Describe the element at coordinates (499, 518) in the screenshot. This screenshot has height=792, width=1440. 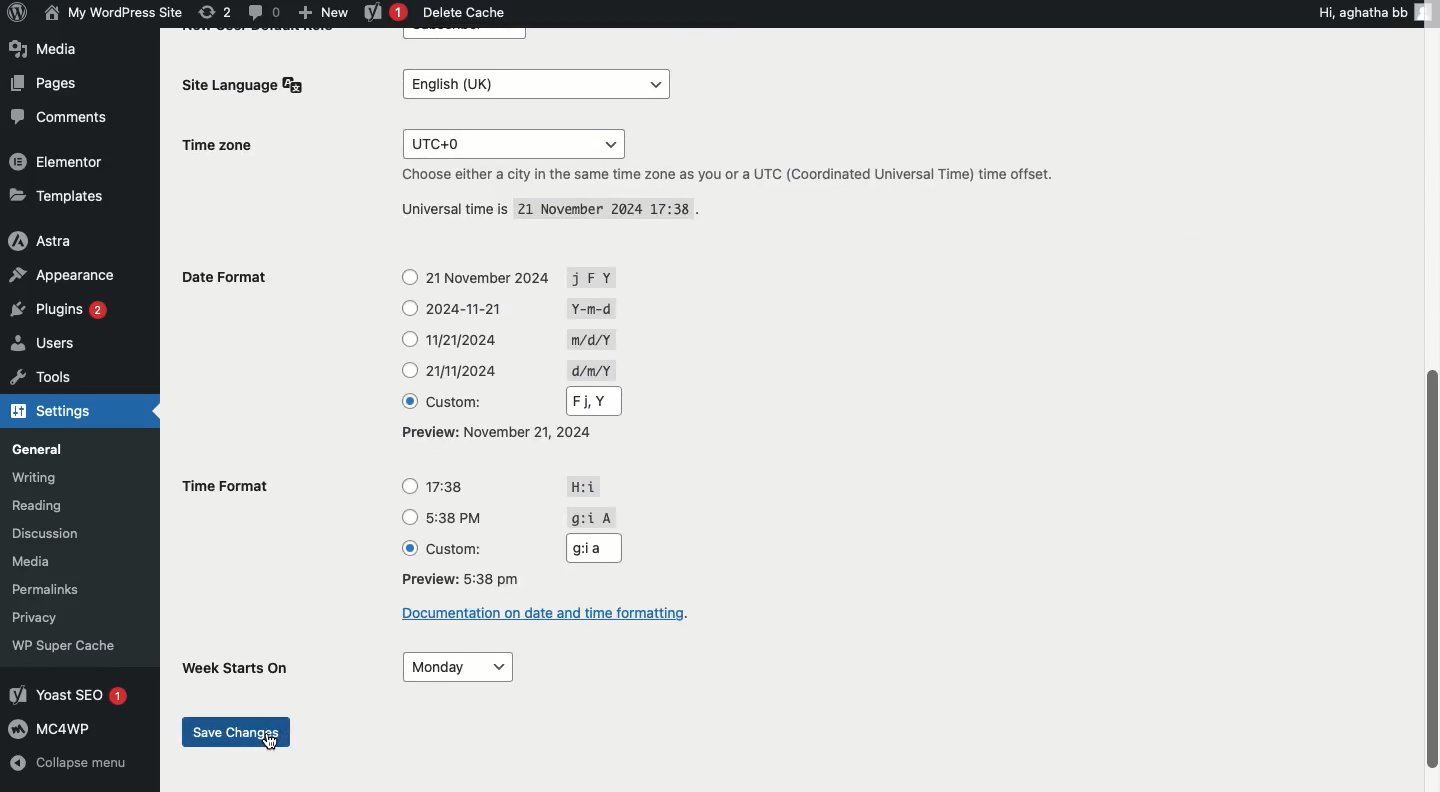
I see ` 5:38PM g:i A` at that location.